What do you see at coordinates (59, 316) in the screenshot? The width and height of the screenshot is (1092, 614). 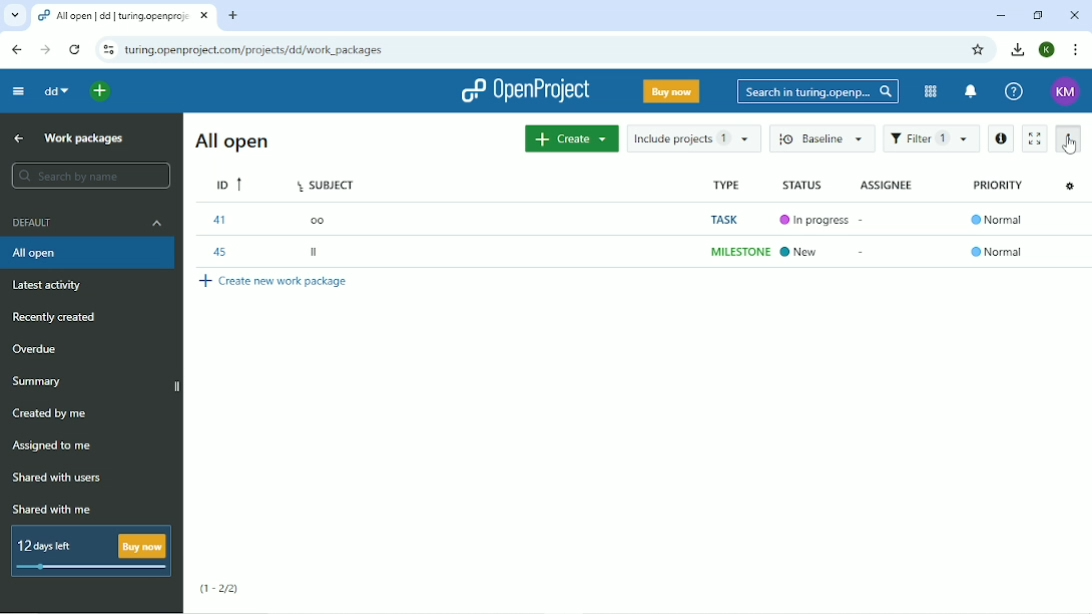 I see `Recently created` at bounding box center [59, 316].